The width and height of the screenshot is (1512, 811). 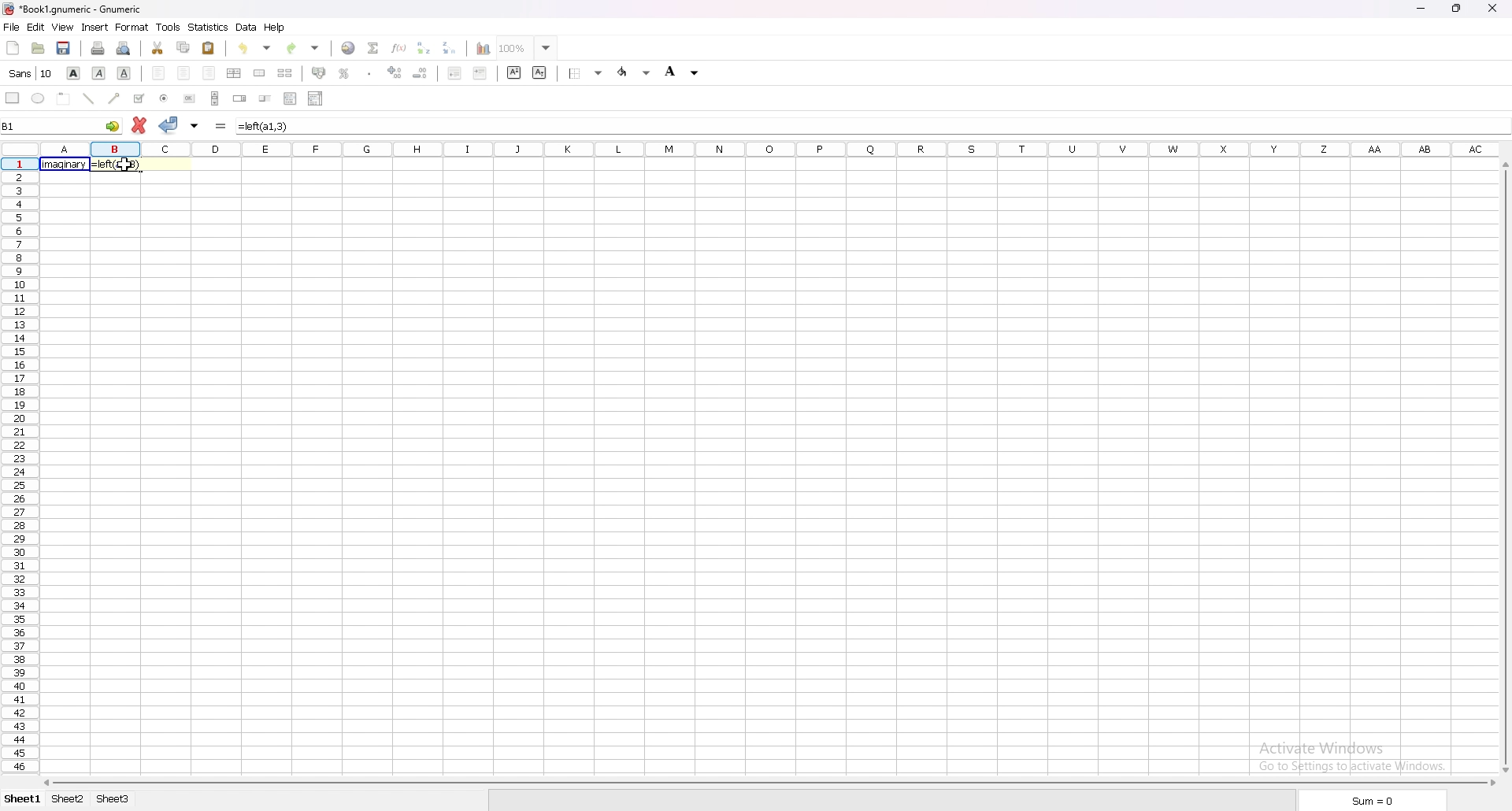 What do you see at coordinates (303, 48) in the screenshot?
I see `redo` at bounding box center [303, 48].